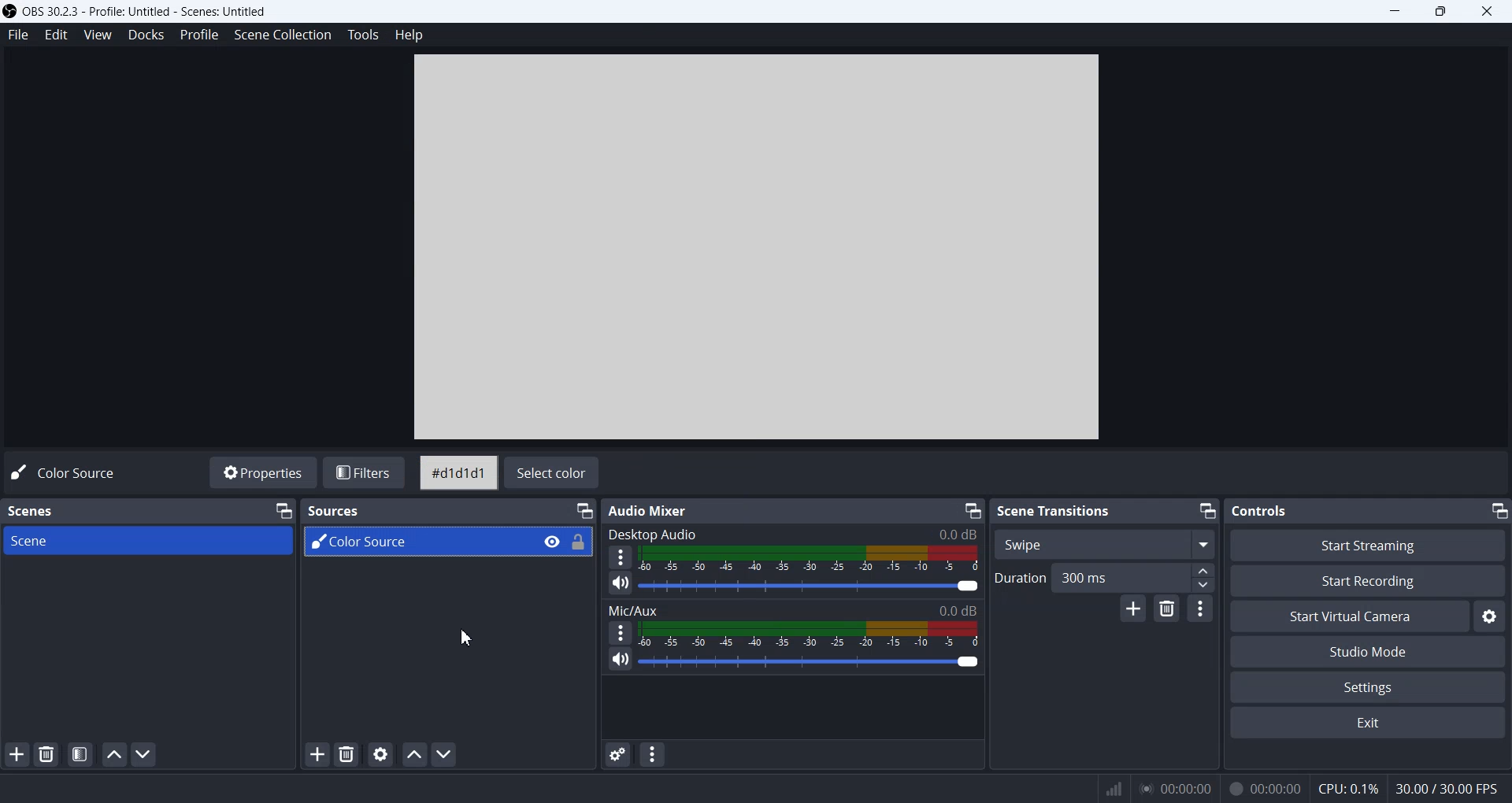 This screenshot has height=803, width=1512. Describe the element at coordinates (150, 541) in the screenshot. I see `Scene` at that location.